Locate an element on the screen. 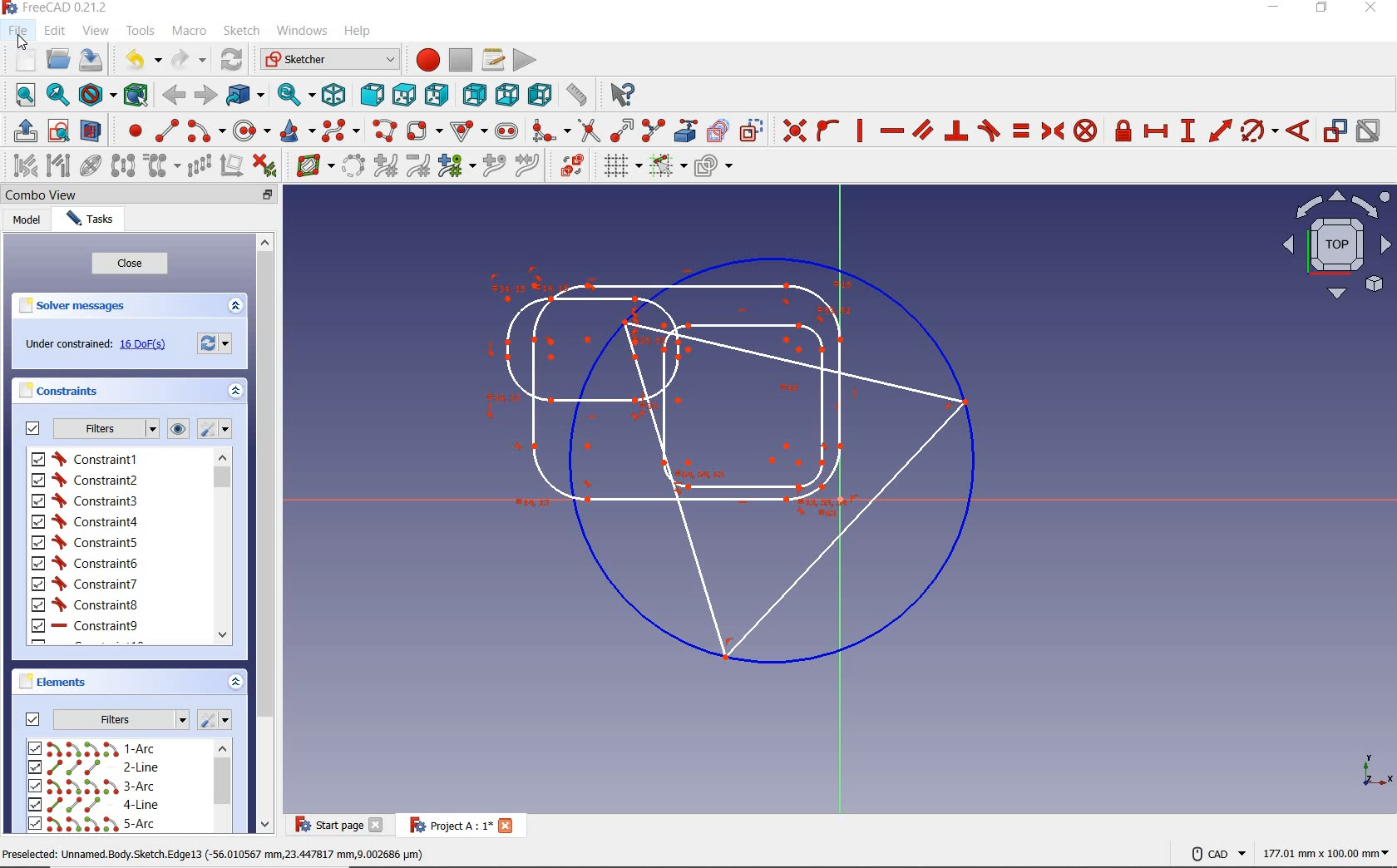  expand is located at coordinates (235, 391).